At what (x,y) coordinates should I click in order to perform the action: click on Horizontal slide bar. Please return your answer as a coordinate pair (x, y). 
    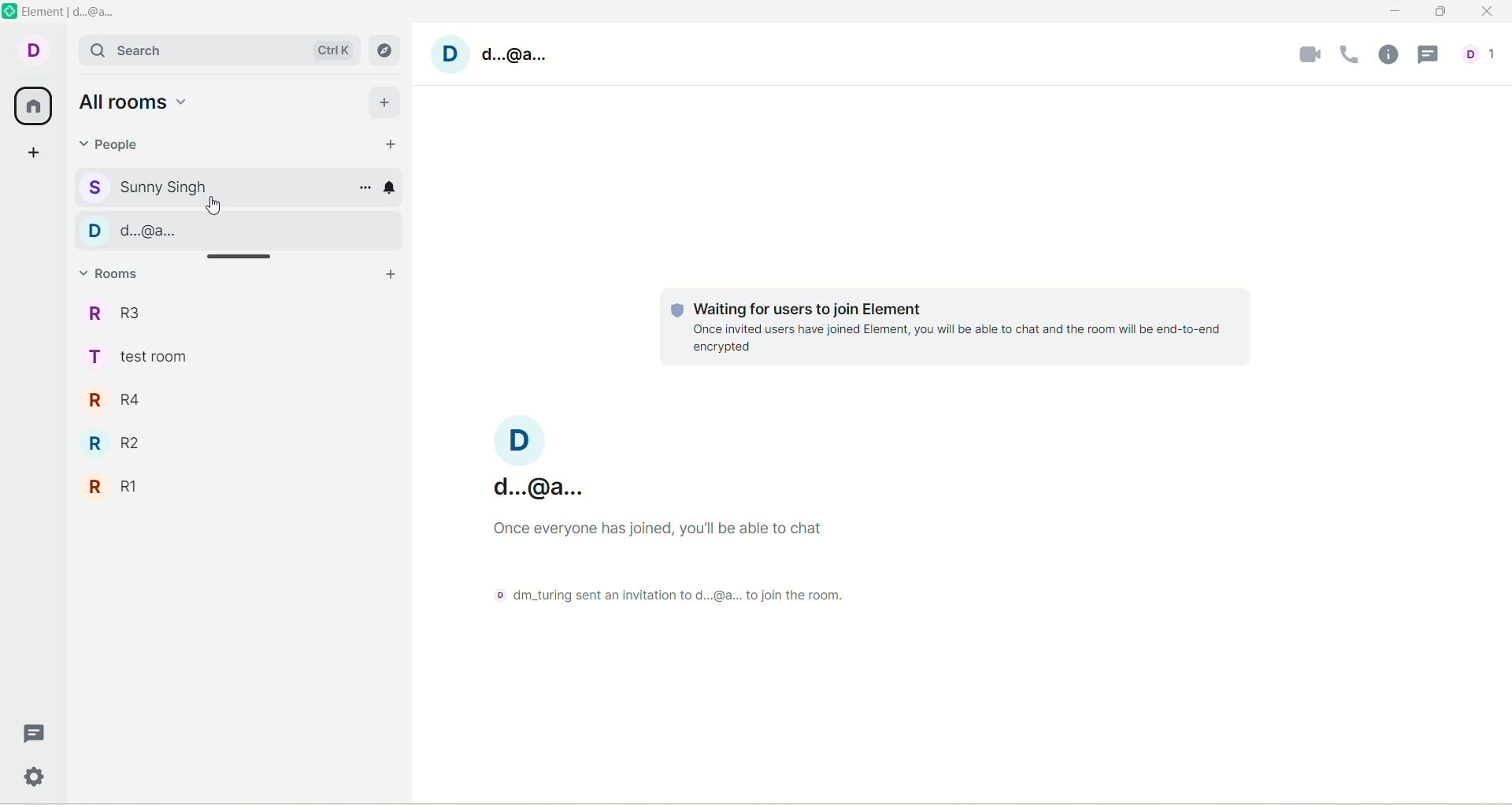
    Looking at the image, I should click on (239, 257).